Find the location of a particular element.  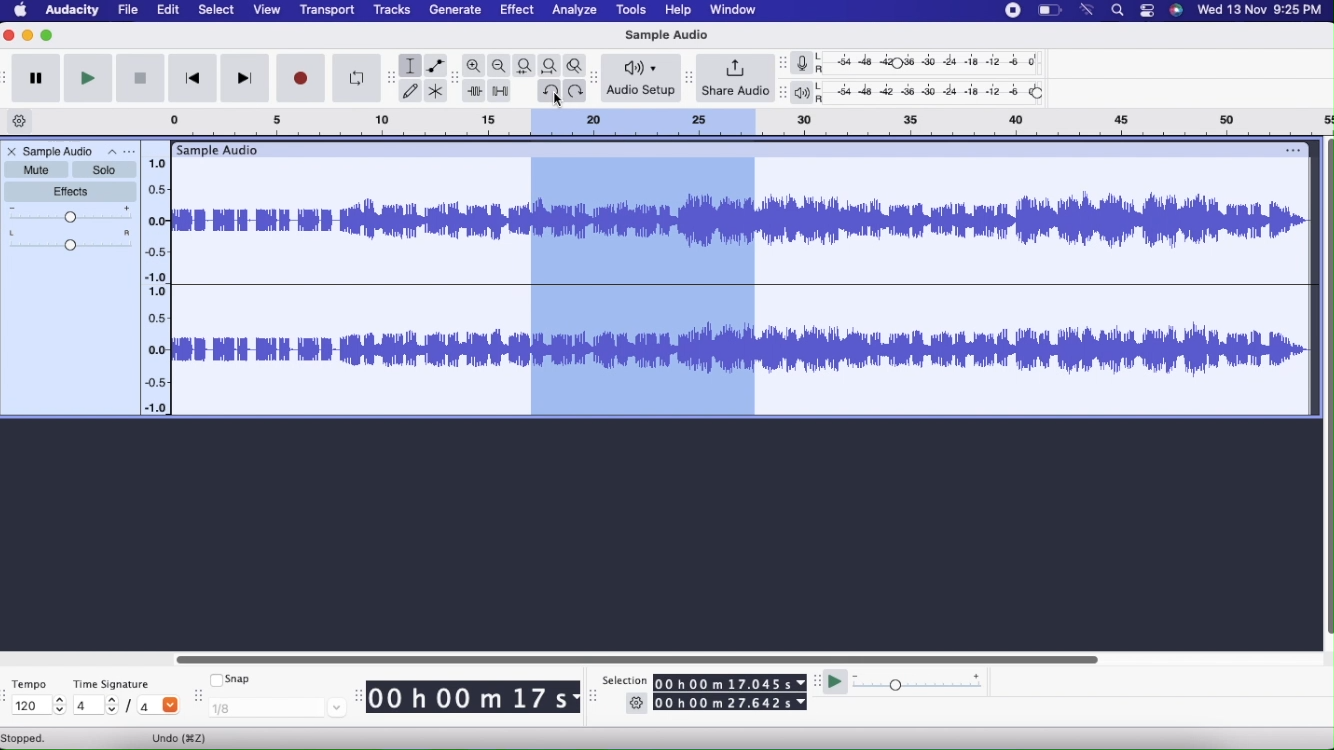

Edit is located at coordinates (169, 11).